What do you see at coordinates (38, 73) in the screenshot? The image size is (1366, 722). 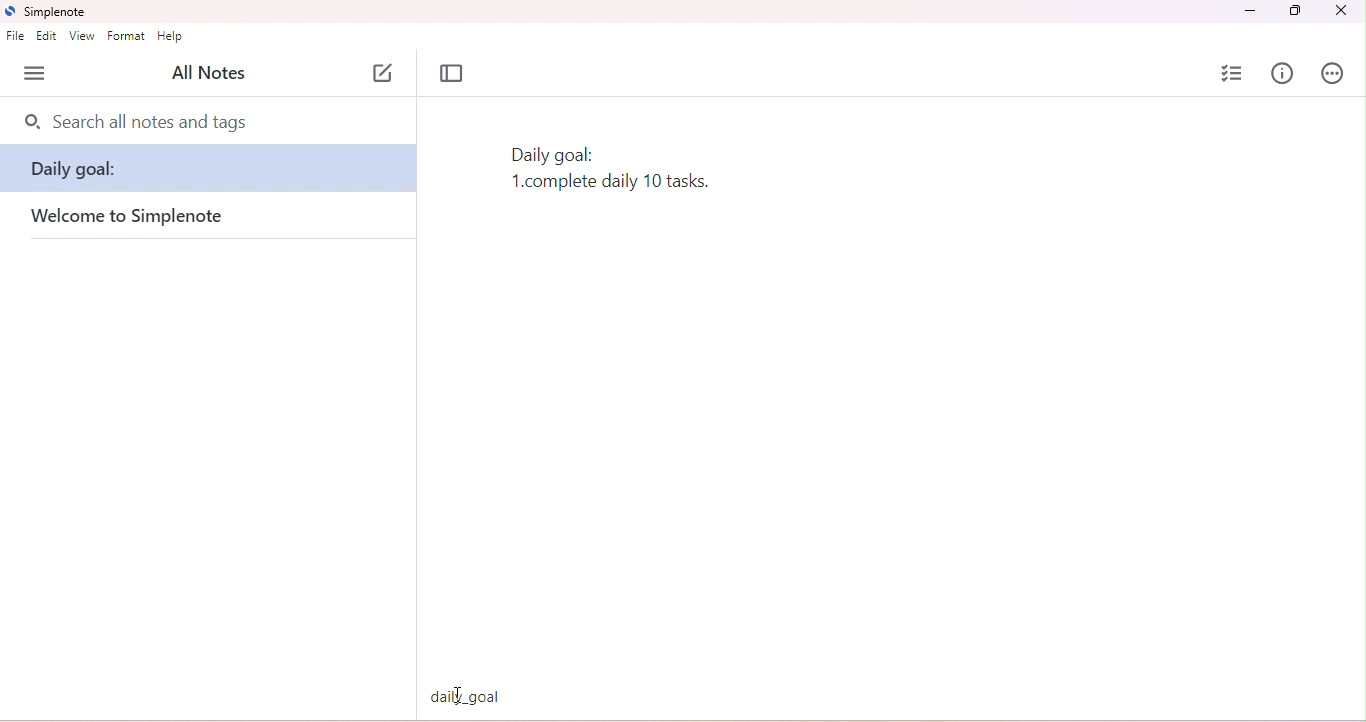 I see `menu` at bounding box center [38, 73].